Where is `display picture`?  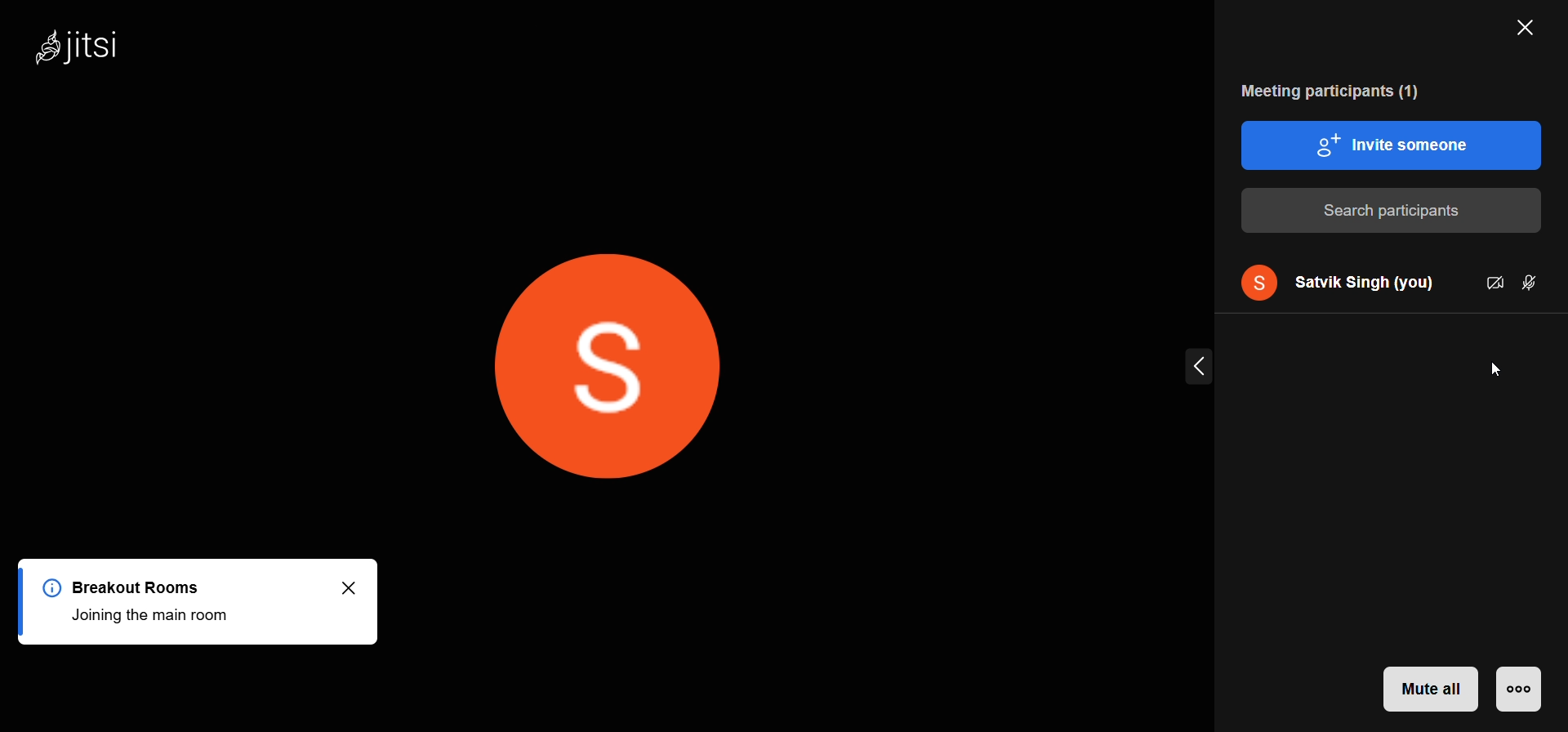
display picture is located at coordinates (1254, 281).